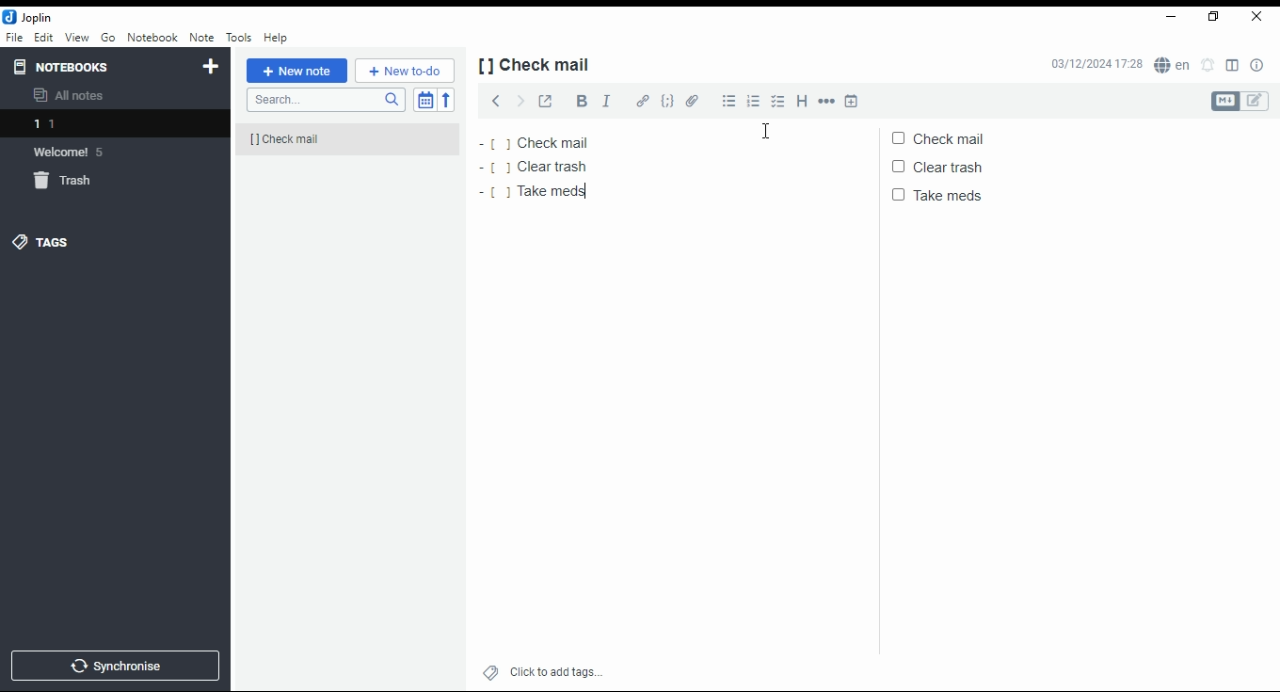  What do you see at coordinates (108, 36) in the screenshot?
I see `Go` at bounding box center [108, 36].